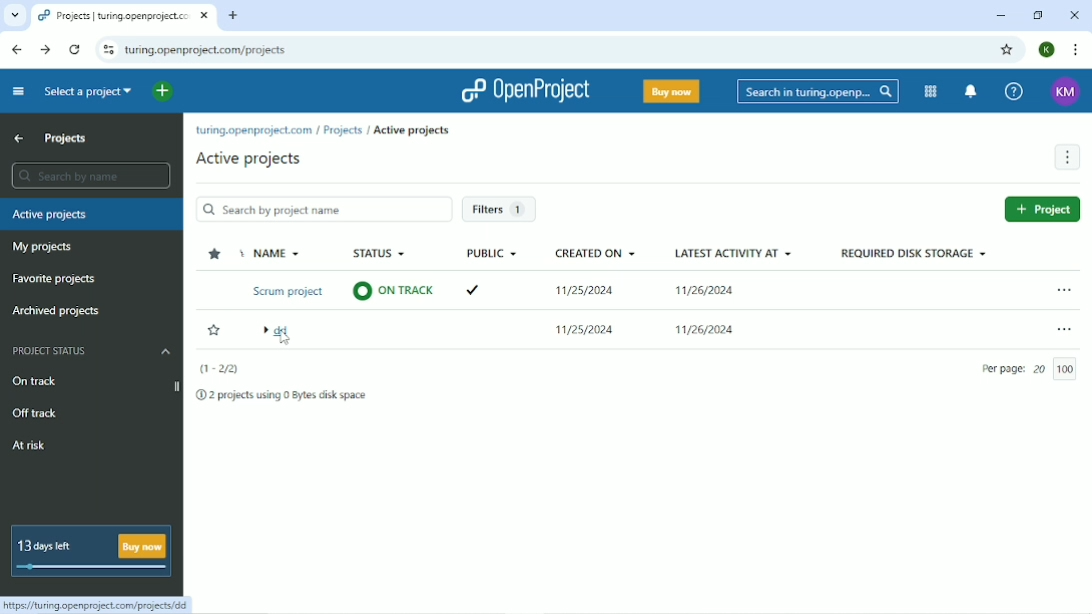 Image resolution: width=1092 pixels, height=614 pixels. What do you see at coordinates (107, 49) in the screenshot?
I see `View site information` at bounding box center [107, 49].